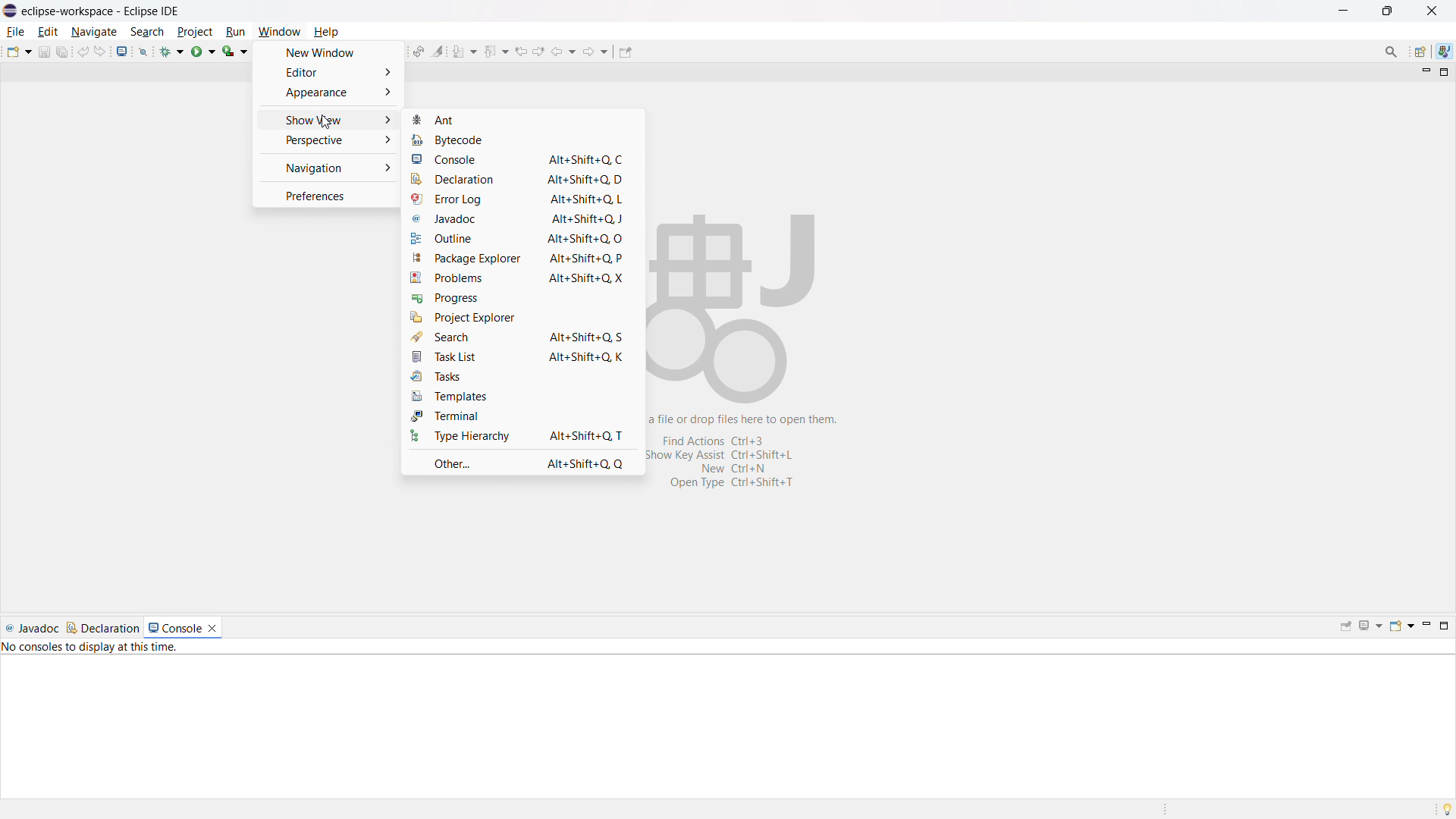 The height and width of the screenshot is (819, 1456). Describe the element at coordinates (1345, 11) in the screenshot. I see `minimize` at that location.